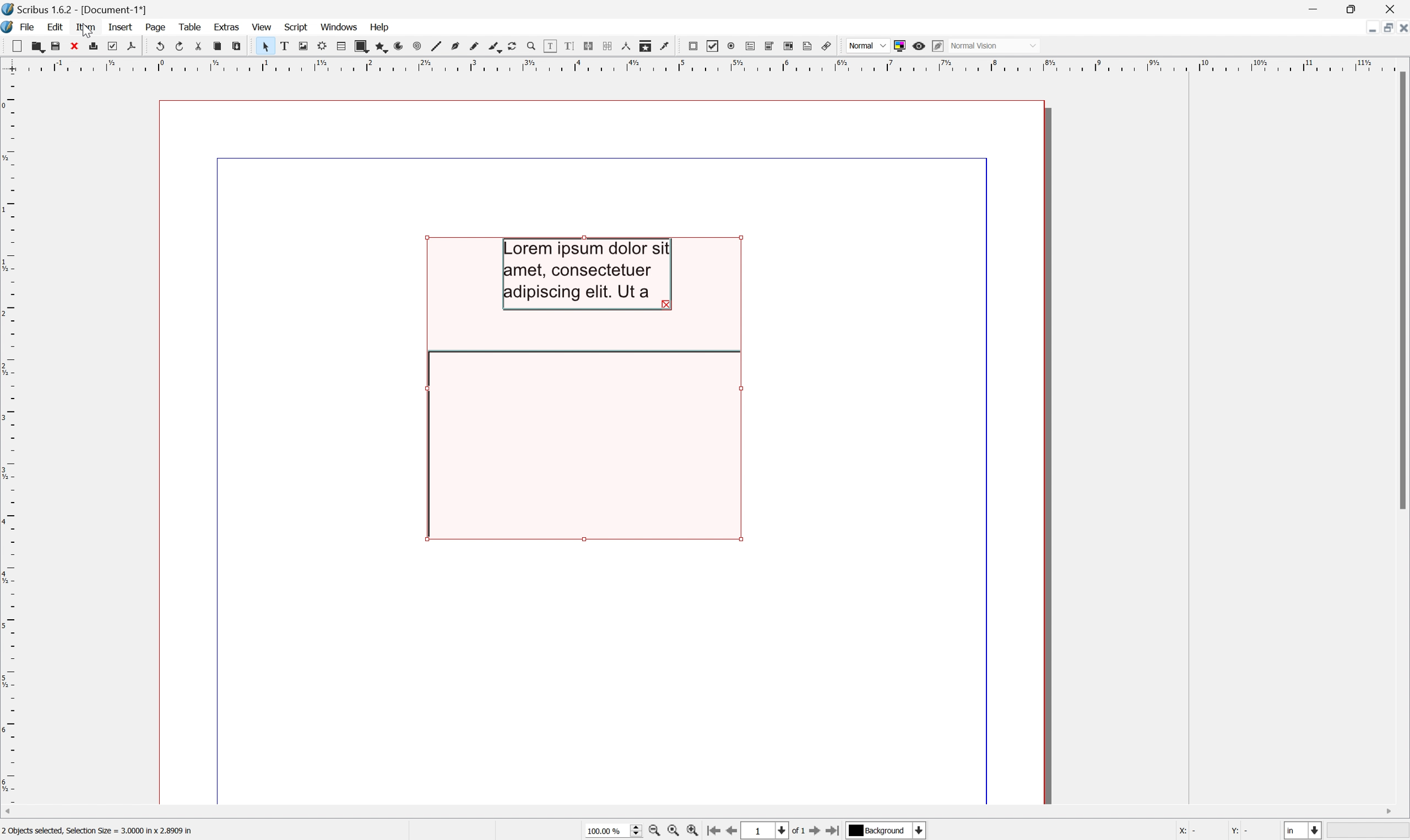 This screenshot has width=1410, height=840. What do you see at coordinates (473, 48) in the screenshot?
I see `Freehand line` at bounding box center [473, 48].